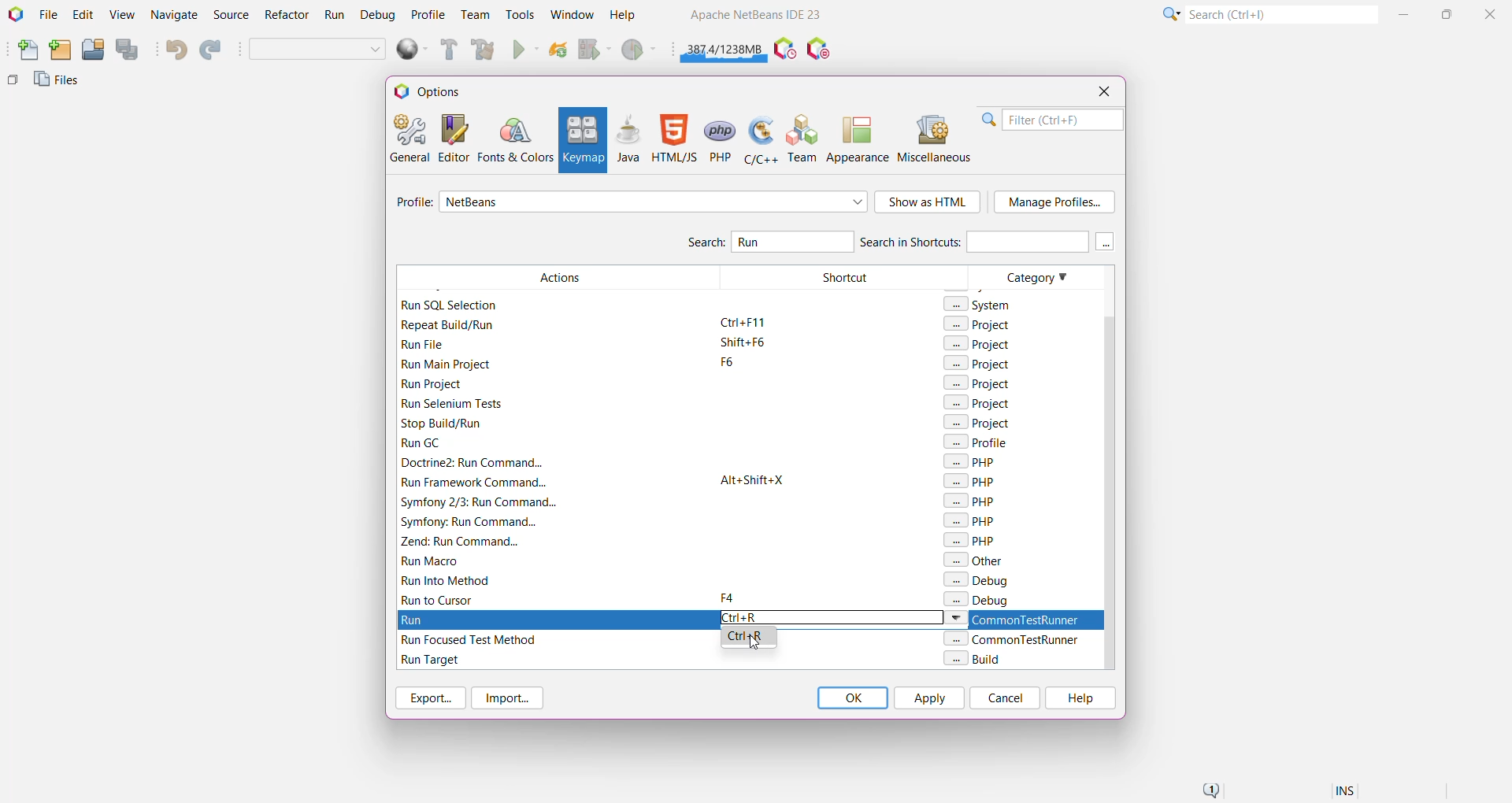 The height and width of the screenshot is (803, 1512). What do you see at coordinates (928, 698) in the screenshot?
I see `Apply` at bounding box center [928, 698].